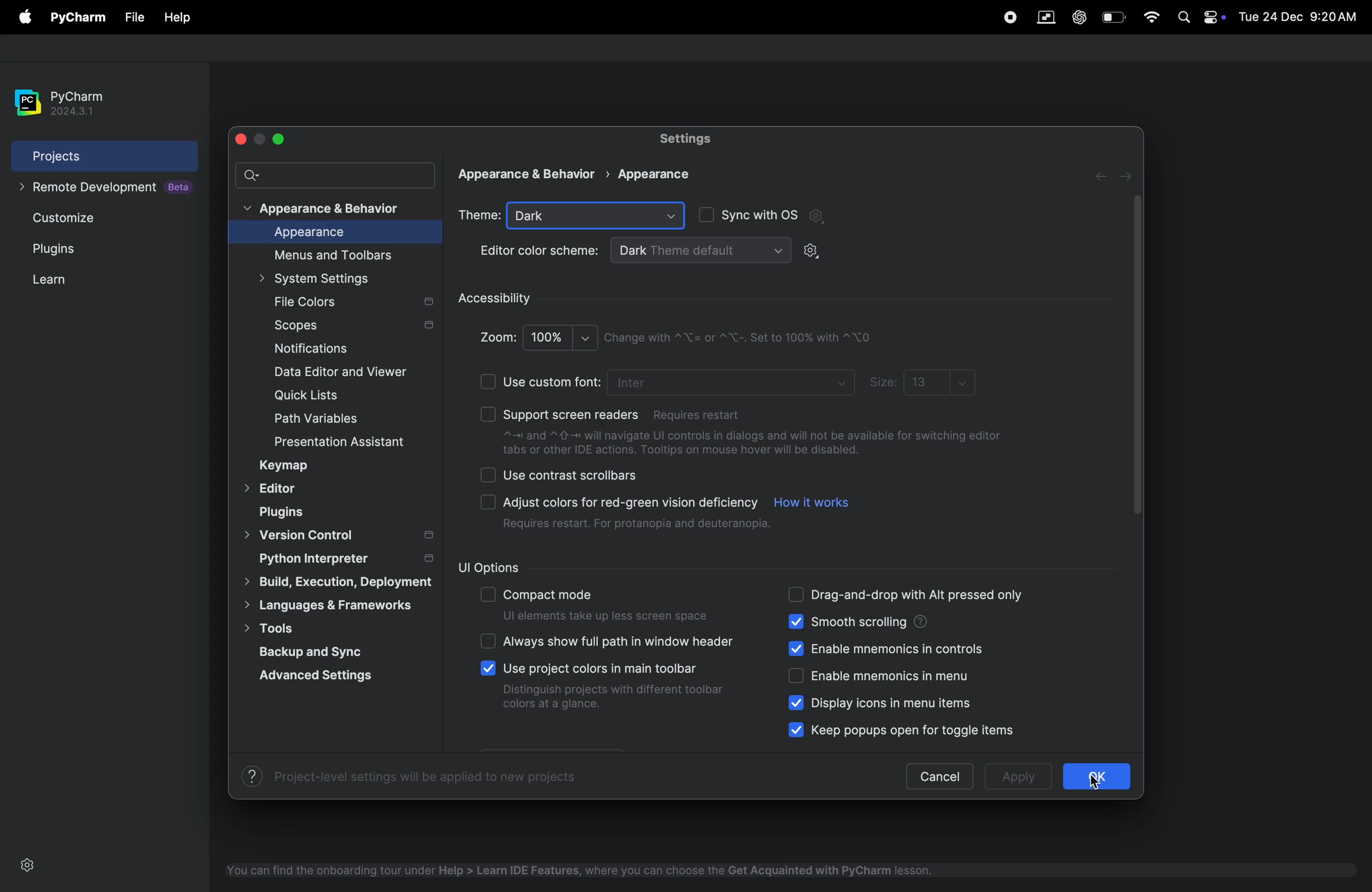  What do you see at coordinates (339, 536) in the screenshot?
I see `version control` at bounding box center [339, 536].